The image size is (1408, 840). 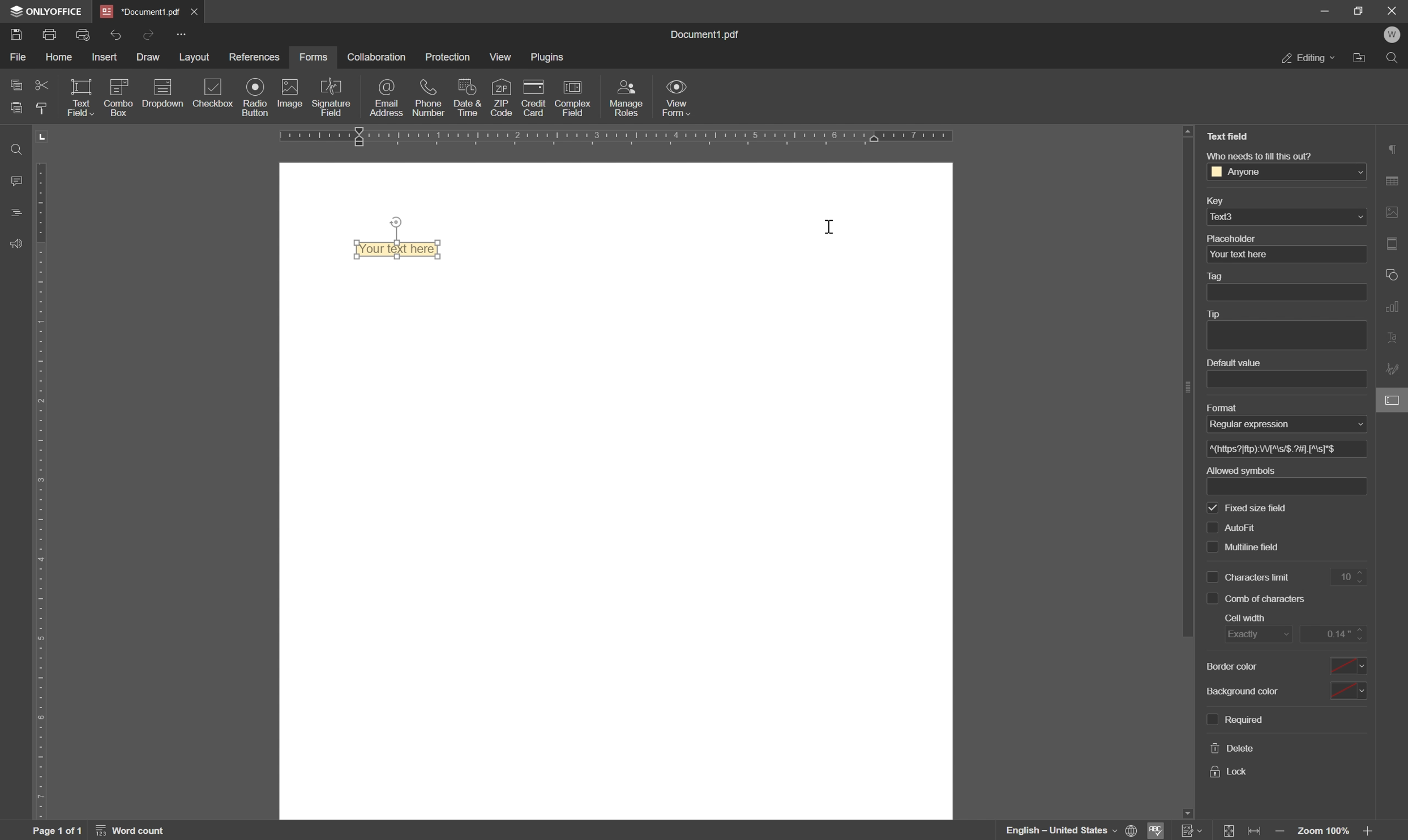 What do you see at coordinates (1231, 363) in the screenshot?
I see `default value` at bounding box center [1231, 363].